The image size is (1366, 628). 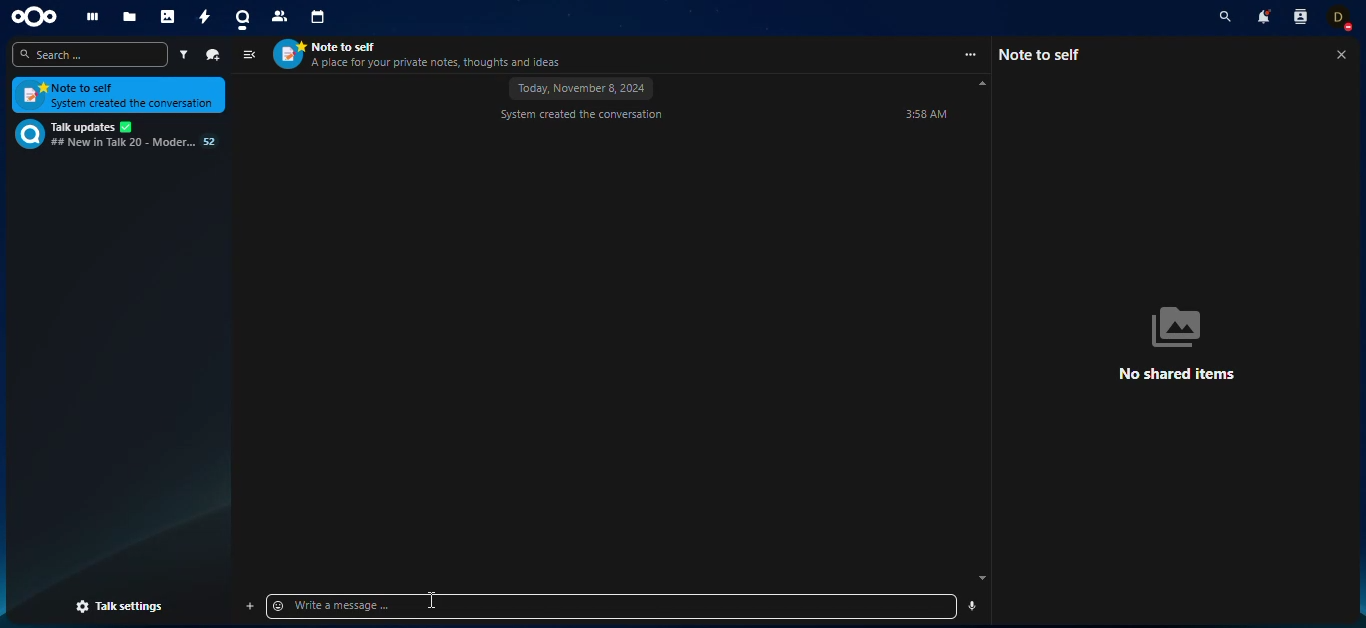 I want to click on new chat, so click(x=214, y=54).